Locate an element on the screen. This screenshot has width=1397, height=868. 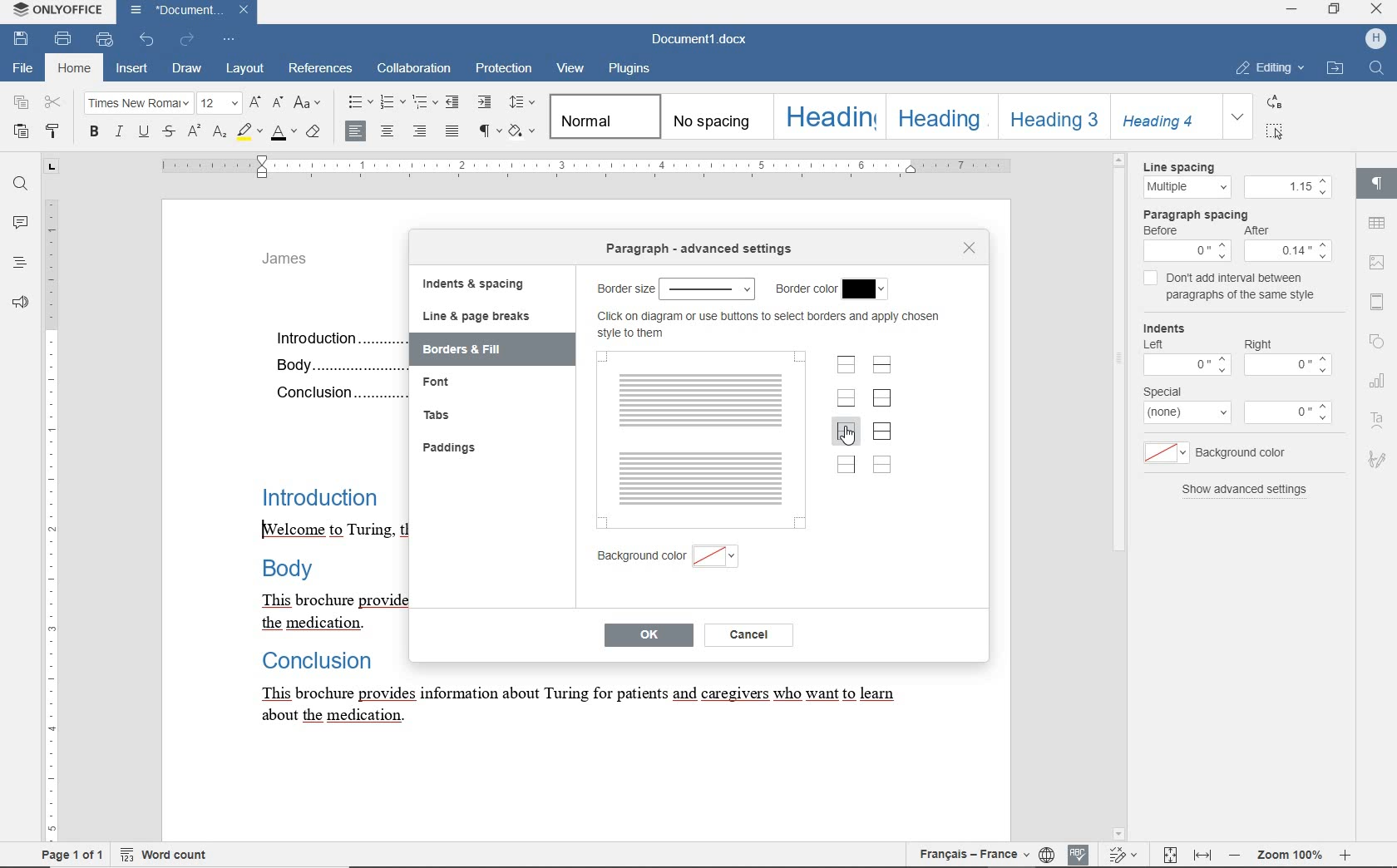
show advanced settings is located at coordinates (1246, 491).